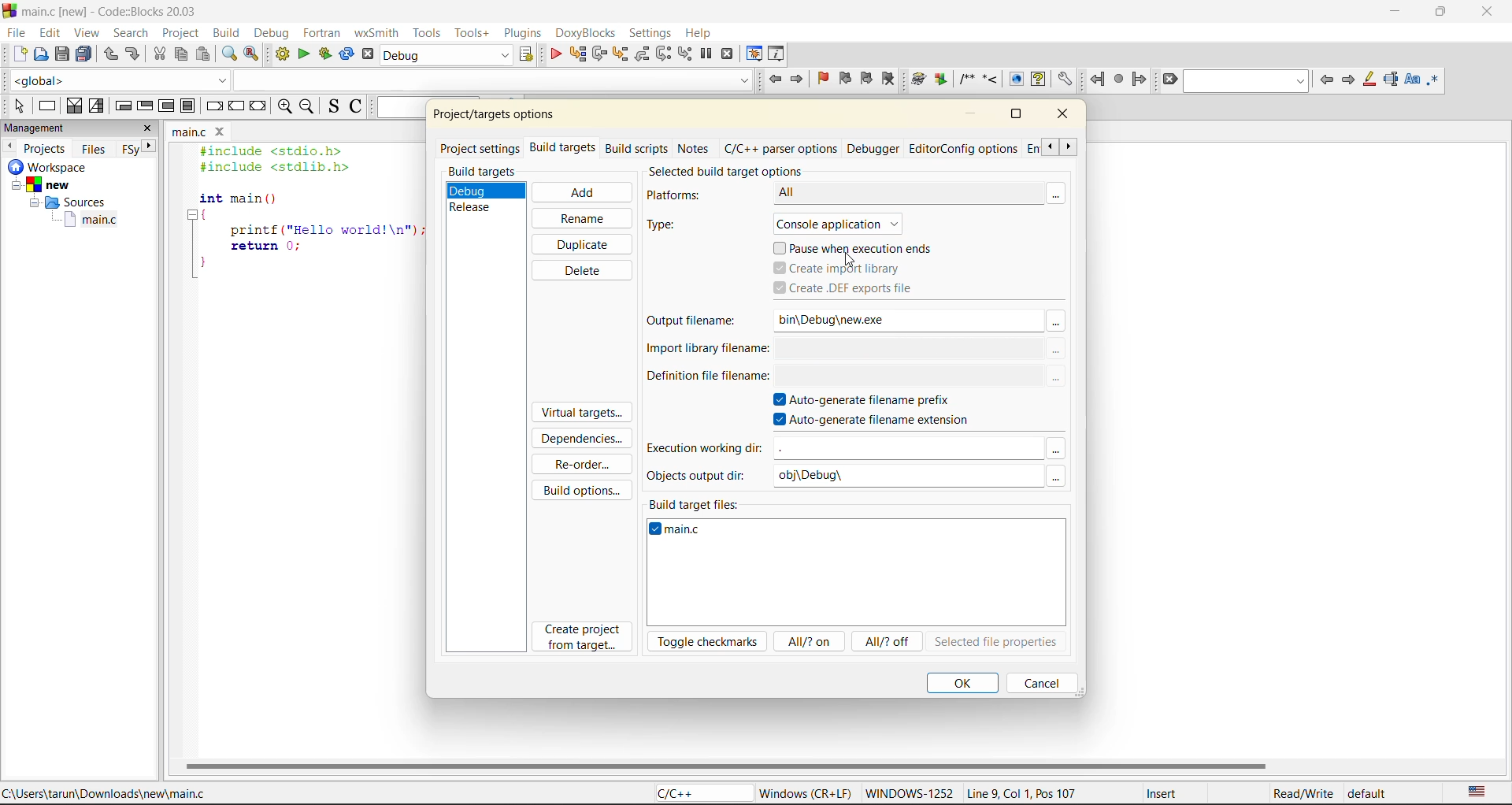  Describe the element at coordinates (135, 54) in the screenshot. I see `redo` at that location.